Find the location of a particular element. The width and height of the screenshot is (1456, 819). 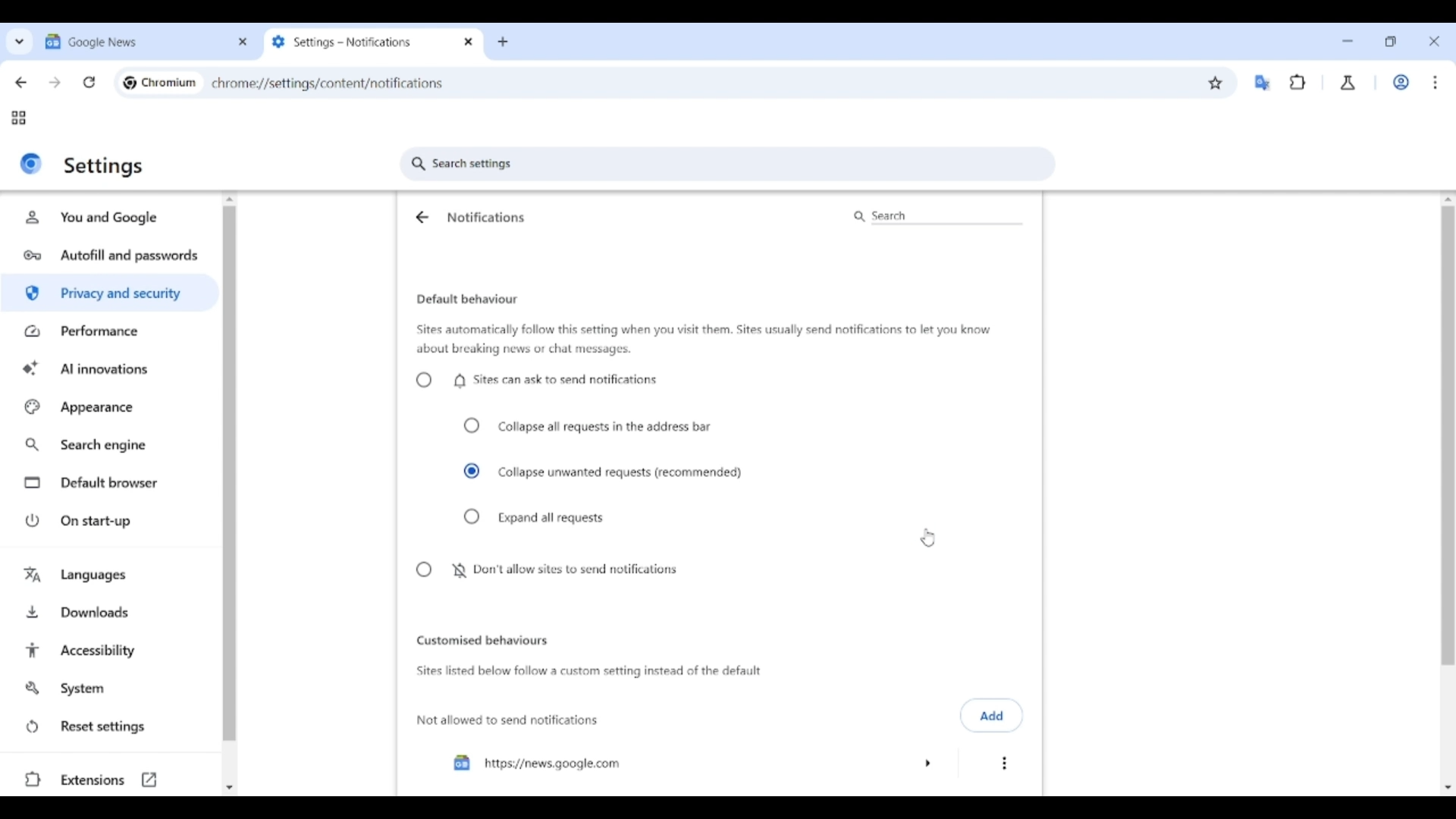

Chrome labs is located at coordinates (1348, 83).